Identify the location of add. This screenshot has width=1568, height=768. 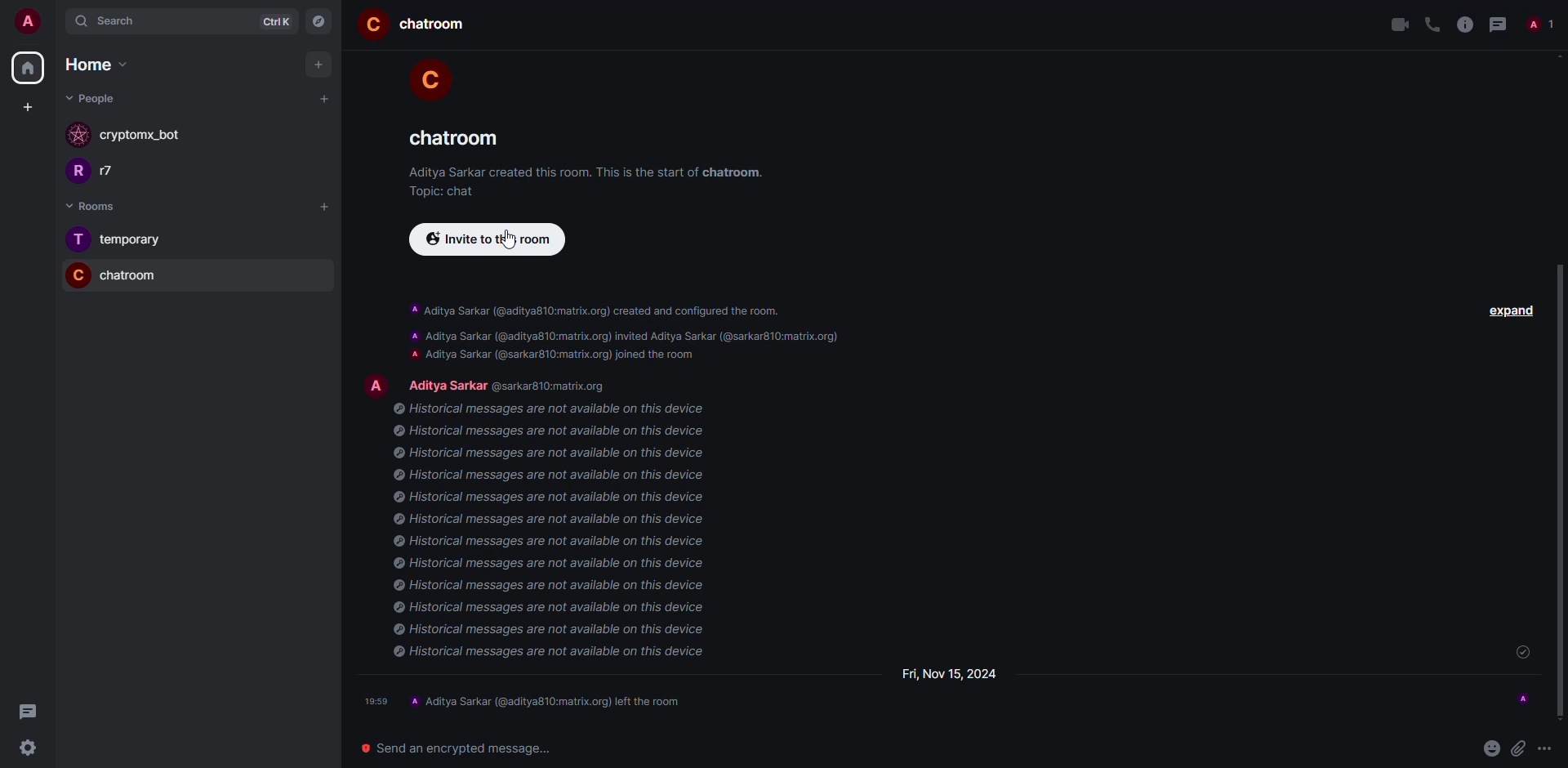
(326, 98).